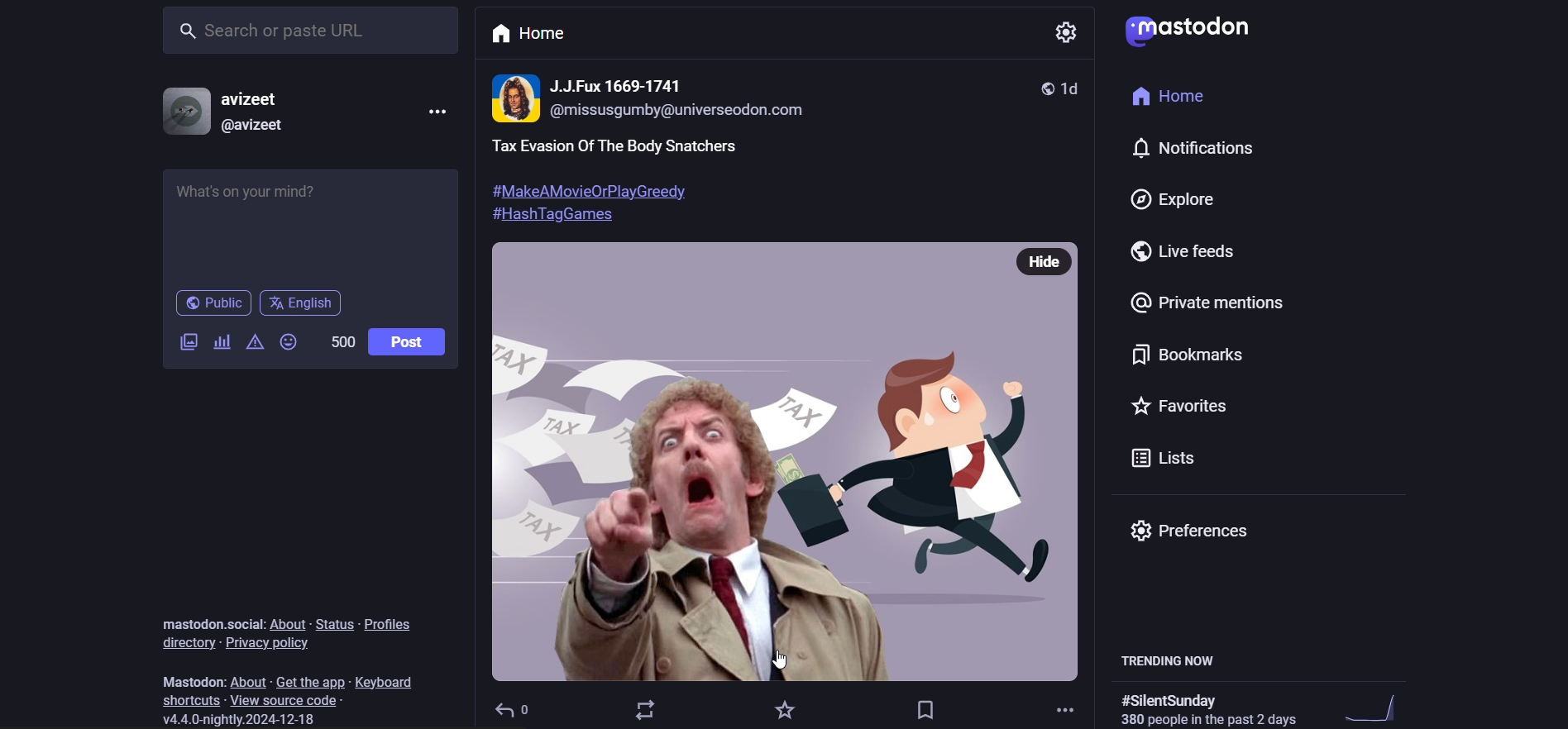 The width and height of the screenshot is (1568, 729). Describe the element at coordinates (926, 710) in the screenshot. I see `bookmark` at that location.